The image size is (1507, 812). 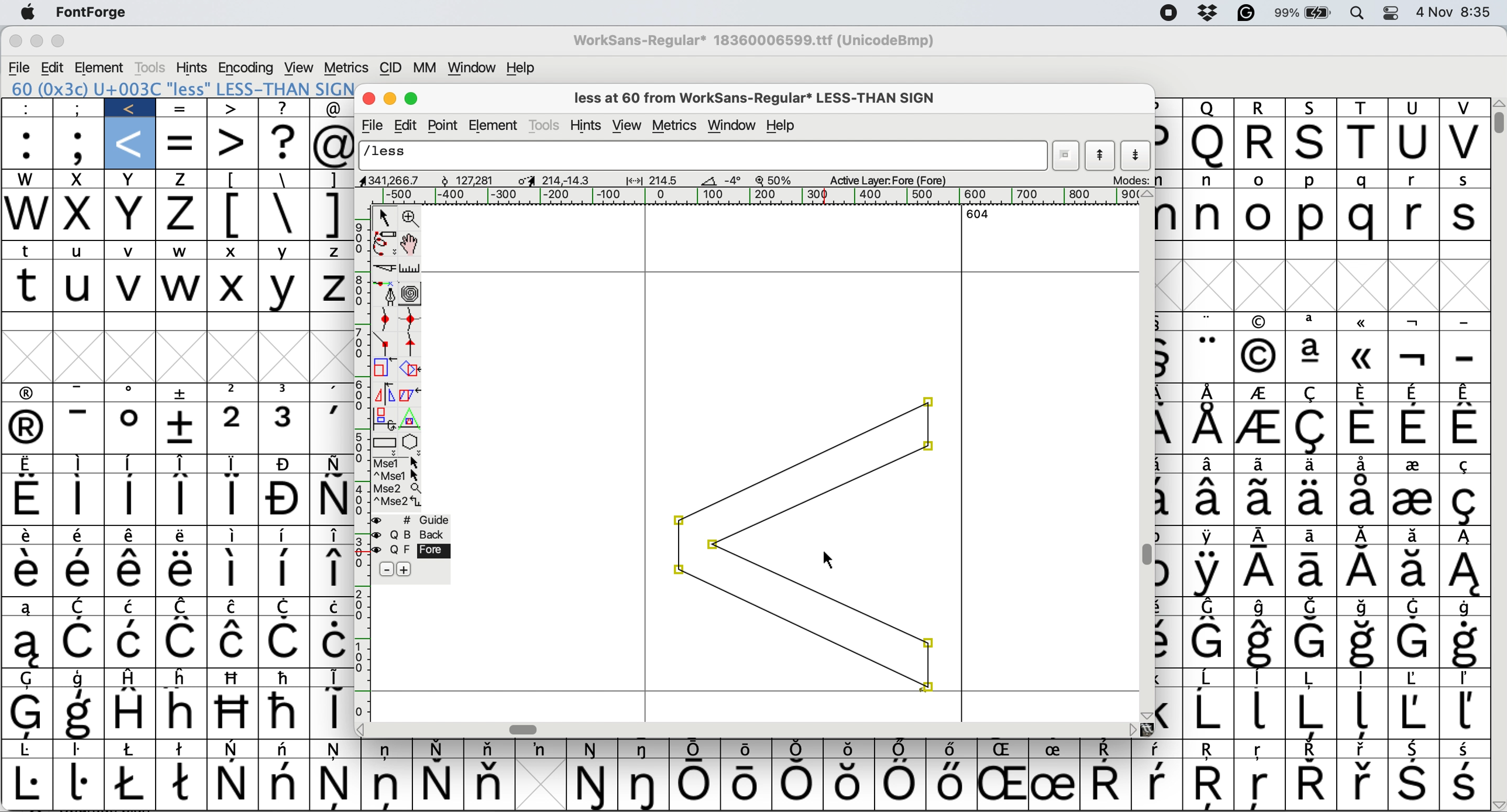 I want to click on Symbol, so click(x=1466, y=536).